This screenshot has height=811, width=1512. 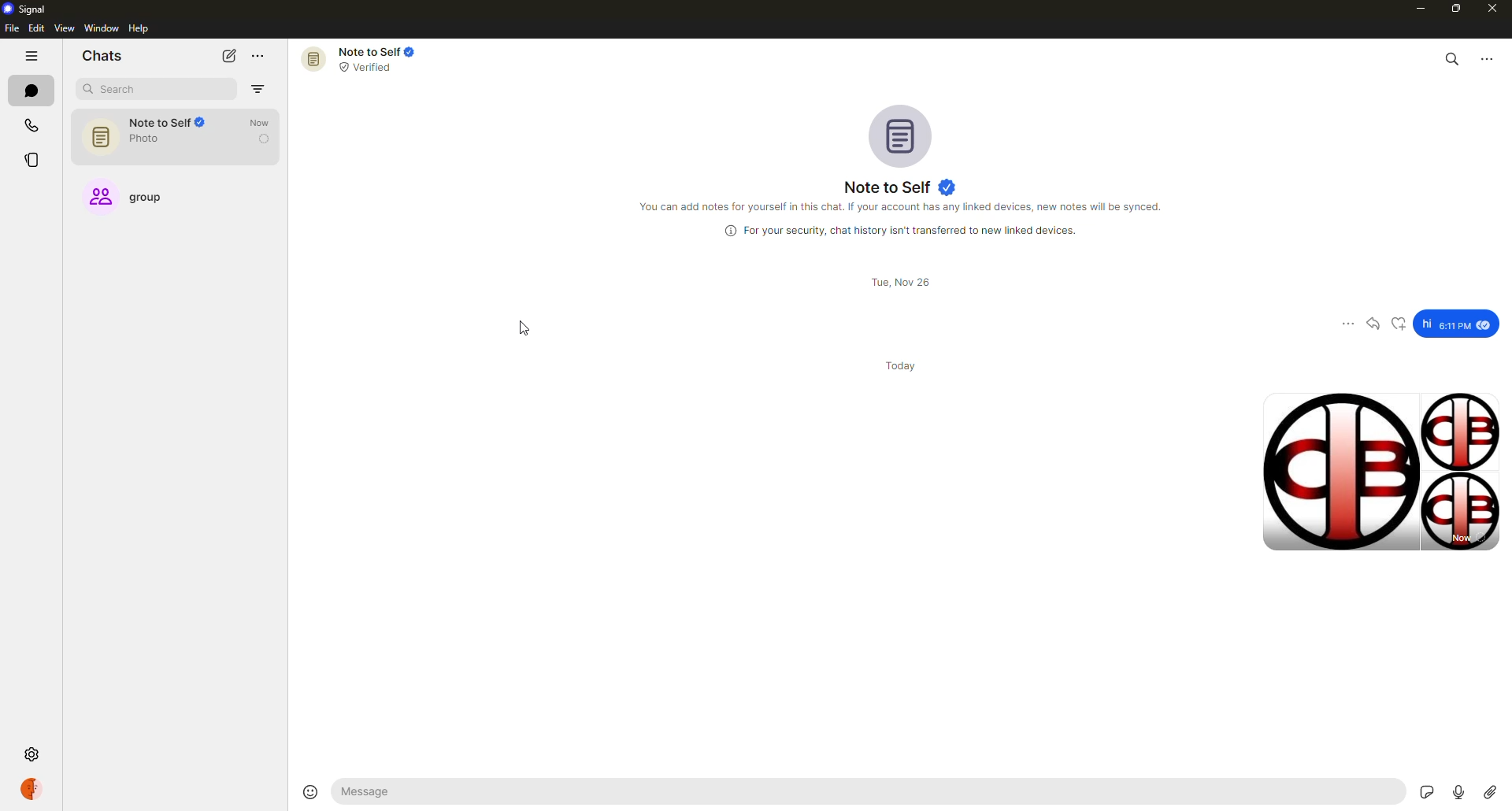 I want to click on info, so click(x=906, y=231).